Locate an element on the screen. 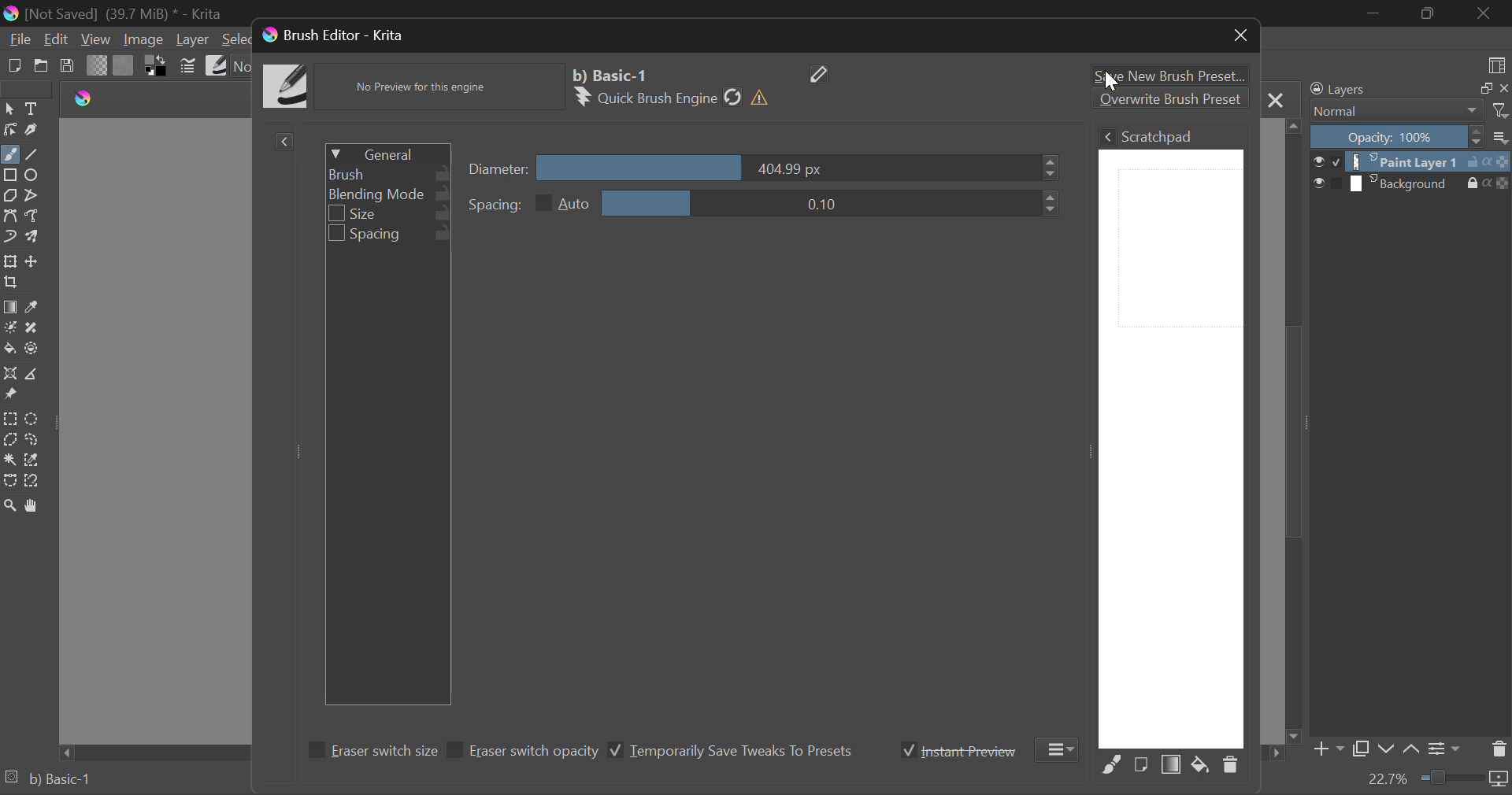 The height and width of the screenshot is (795, 1512). Rectangle Selection is located at coordinates (10, 418).